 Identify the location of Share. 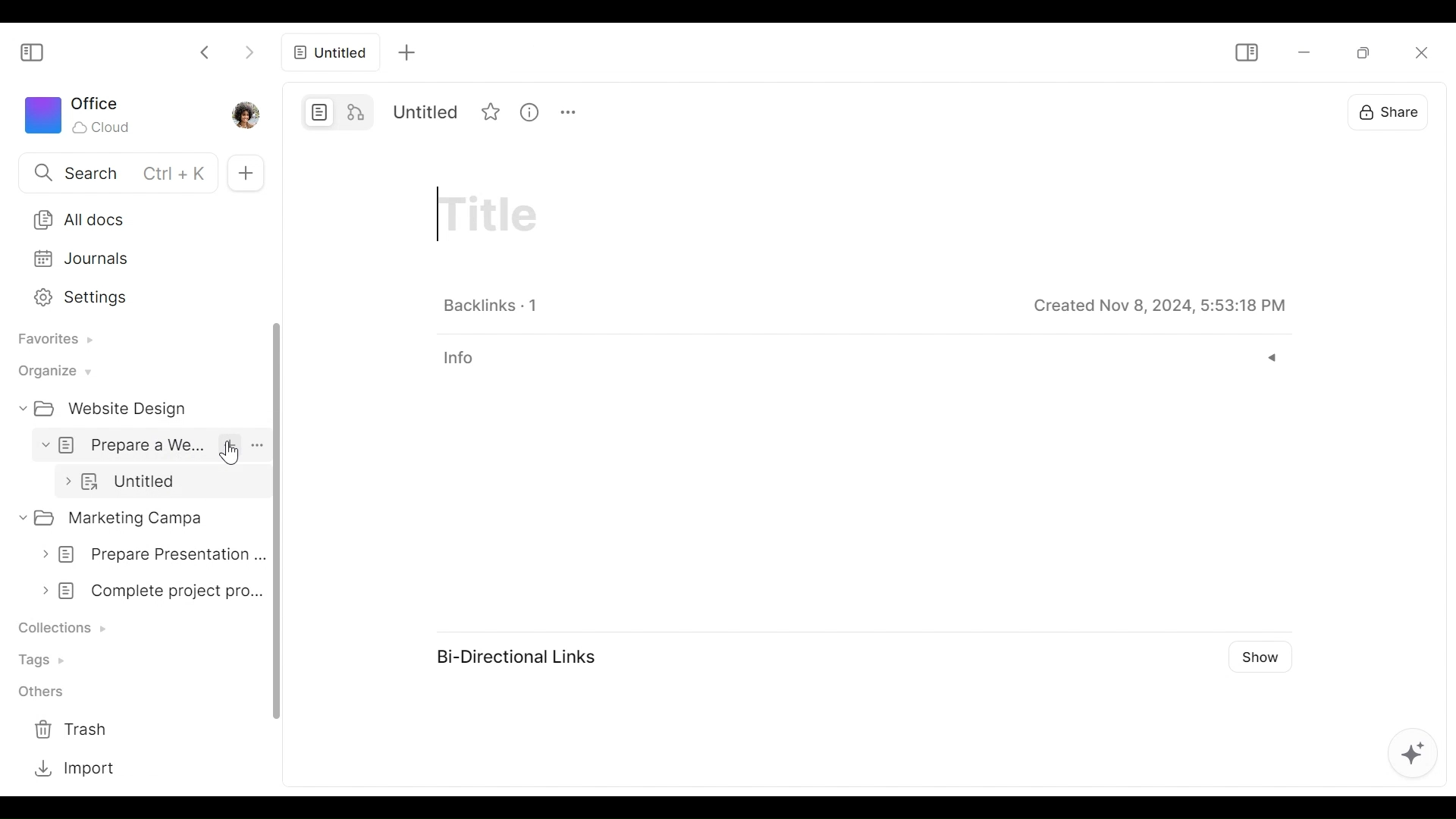
(1390, 111).